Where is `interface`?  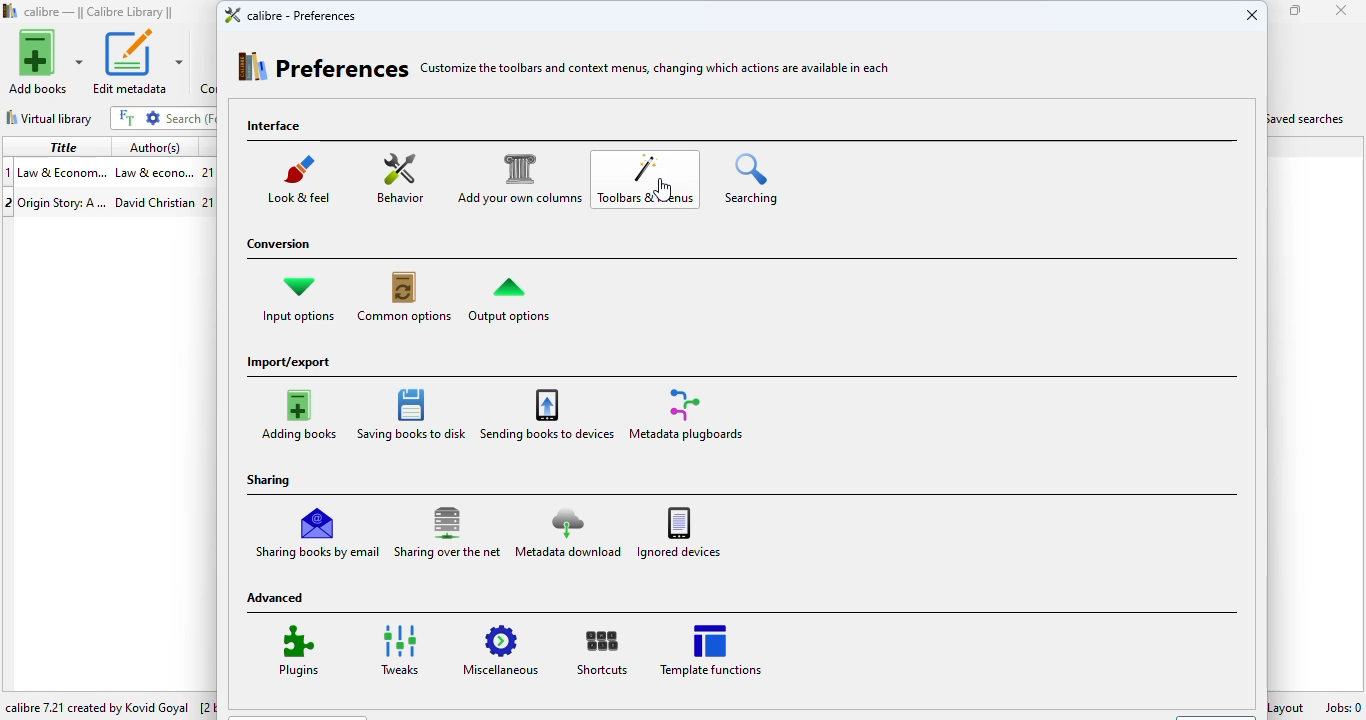 interface is located at coordinates (276, 127).